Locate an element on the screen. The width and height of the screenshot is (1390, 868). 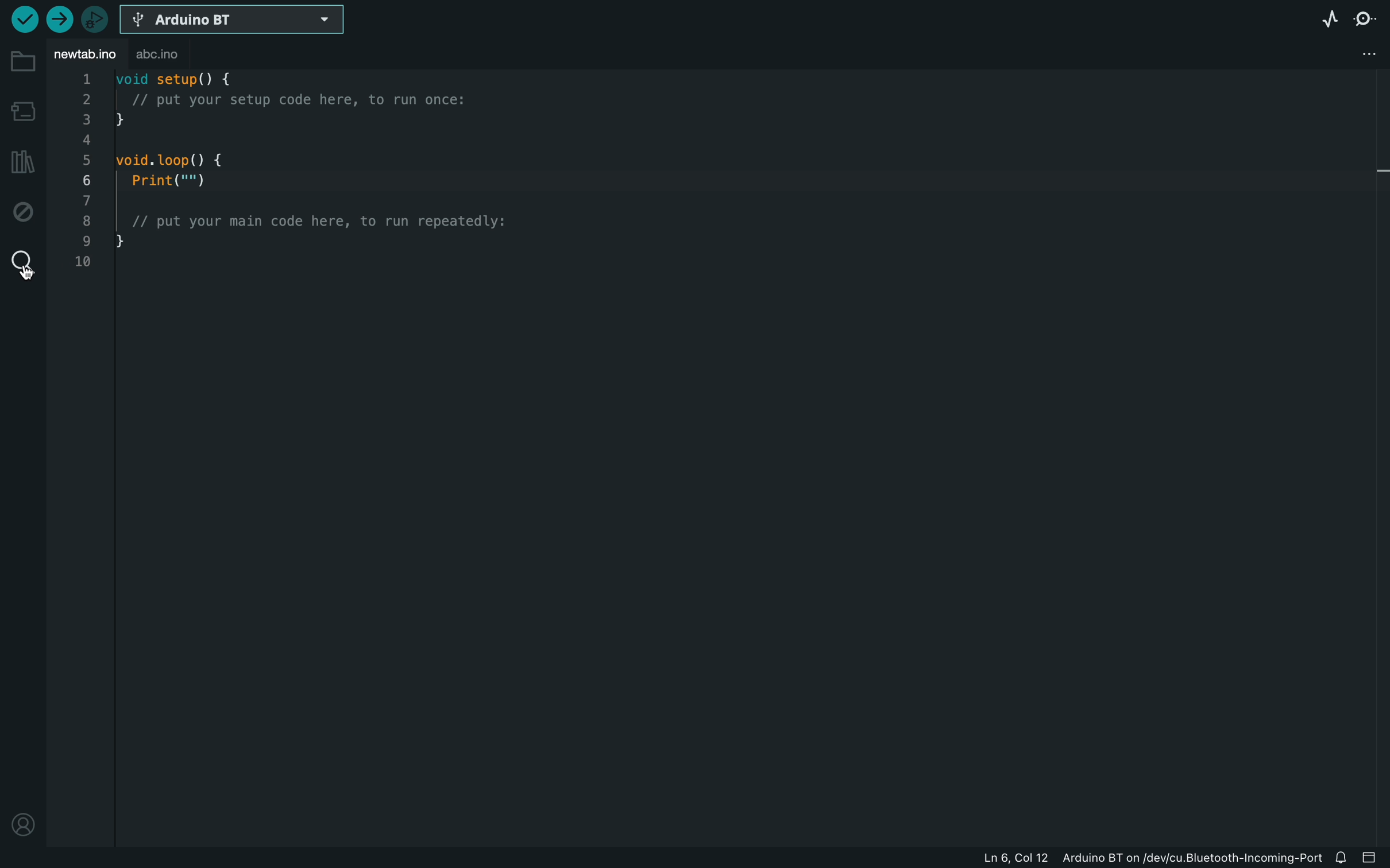
search is located at coordinates (22, 263).